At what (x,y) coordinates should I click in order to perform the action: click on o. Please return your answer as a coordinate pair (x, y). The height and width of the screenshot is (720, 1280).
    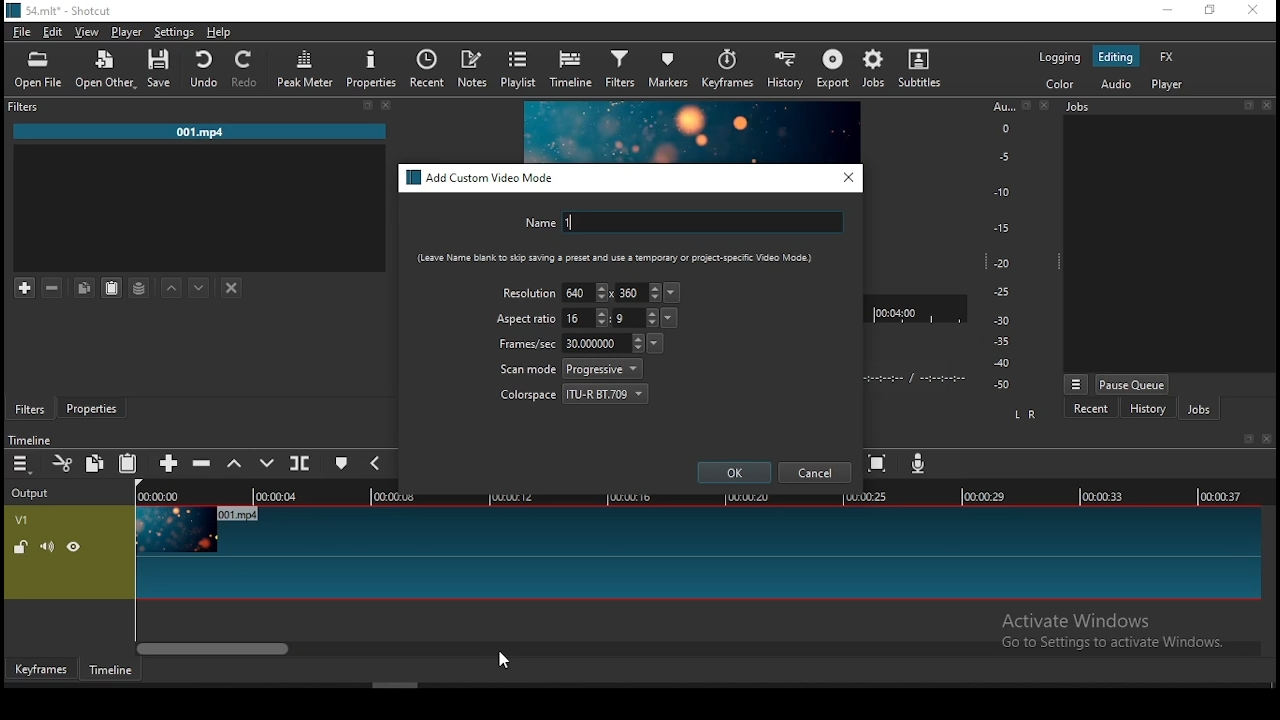
    Looking at the image, I should click on (998, 127).